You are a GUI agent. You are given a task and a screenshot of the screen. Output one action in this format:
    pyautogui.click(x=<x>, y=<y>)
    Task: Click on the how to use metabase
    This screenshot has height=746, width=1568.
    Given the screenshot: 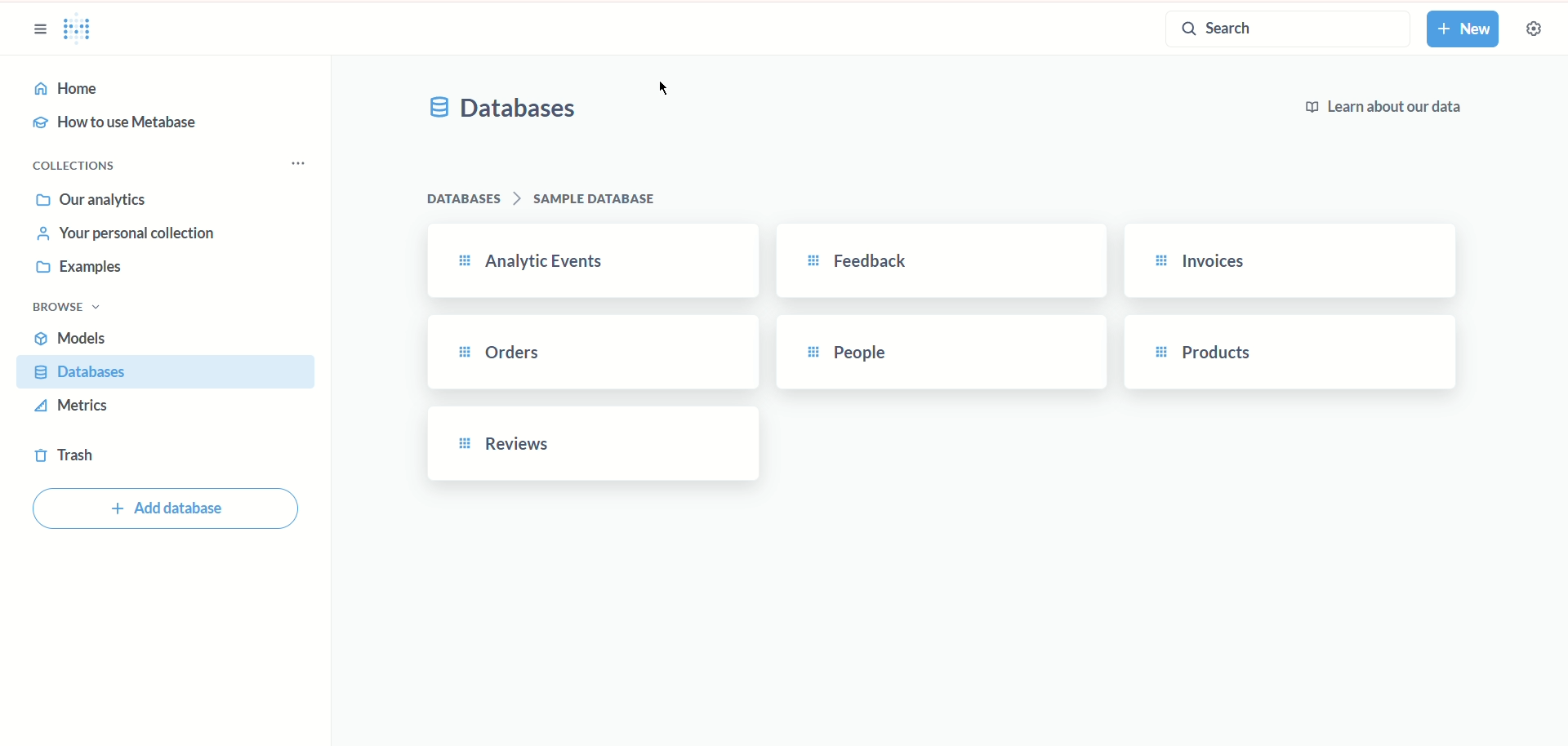 What is the action you would take?
    pyautogui.click(x=114, y=123)
    